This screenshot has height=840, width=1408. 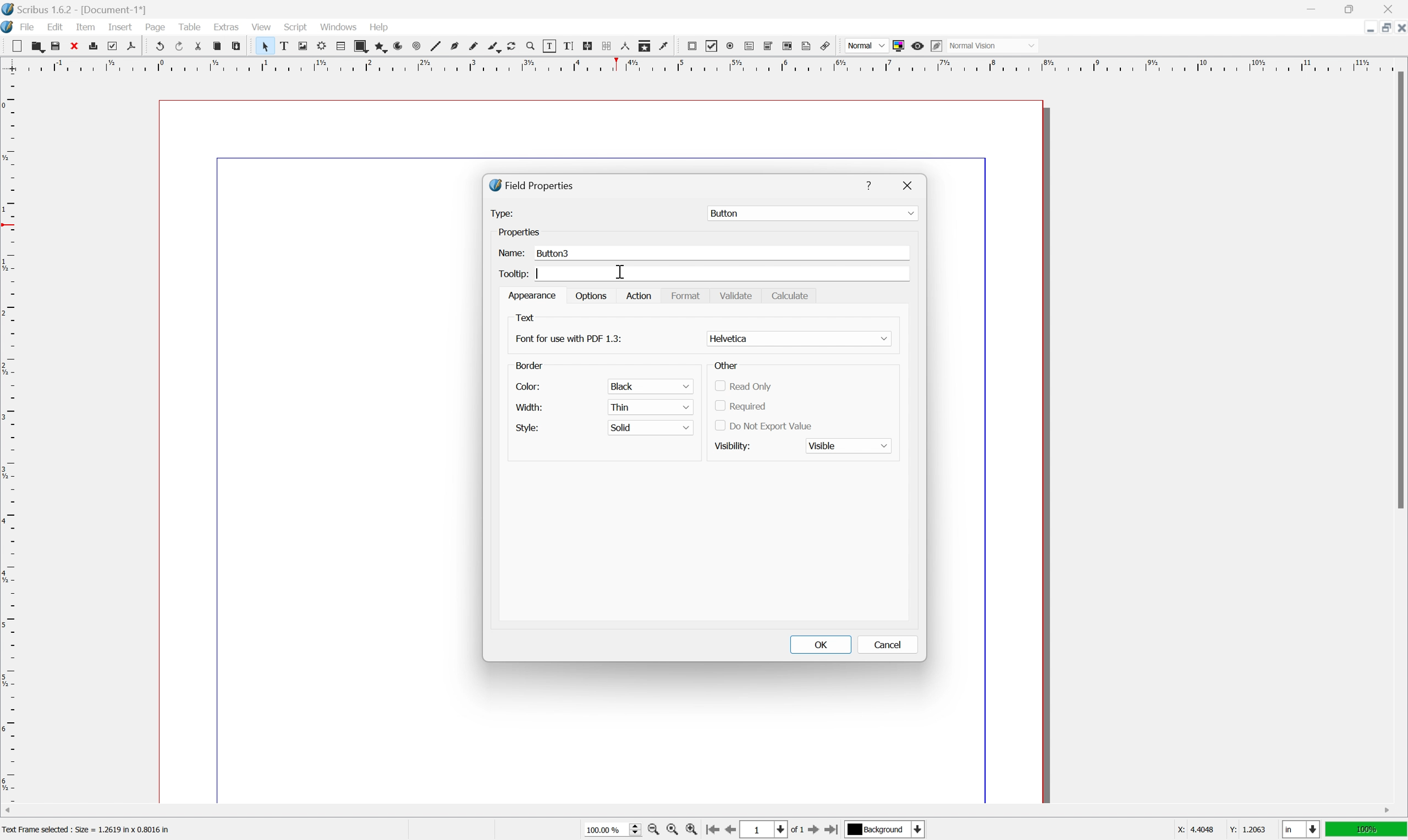 What do you see at coordinates (74, 45) in the screenshot?
I see `cut` at bounding box center [74, 45].